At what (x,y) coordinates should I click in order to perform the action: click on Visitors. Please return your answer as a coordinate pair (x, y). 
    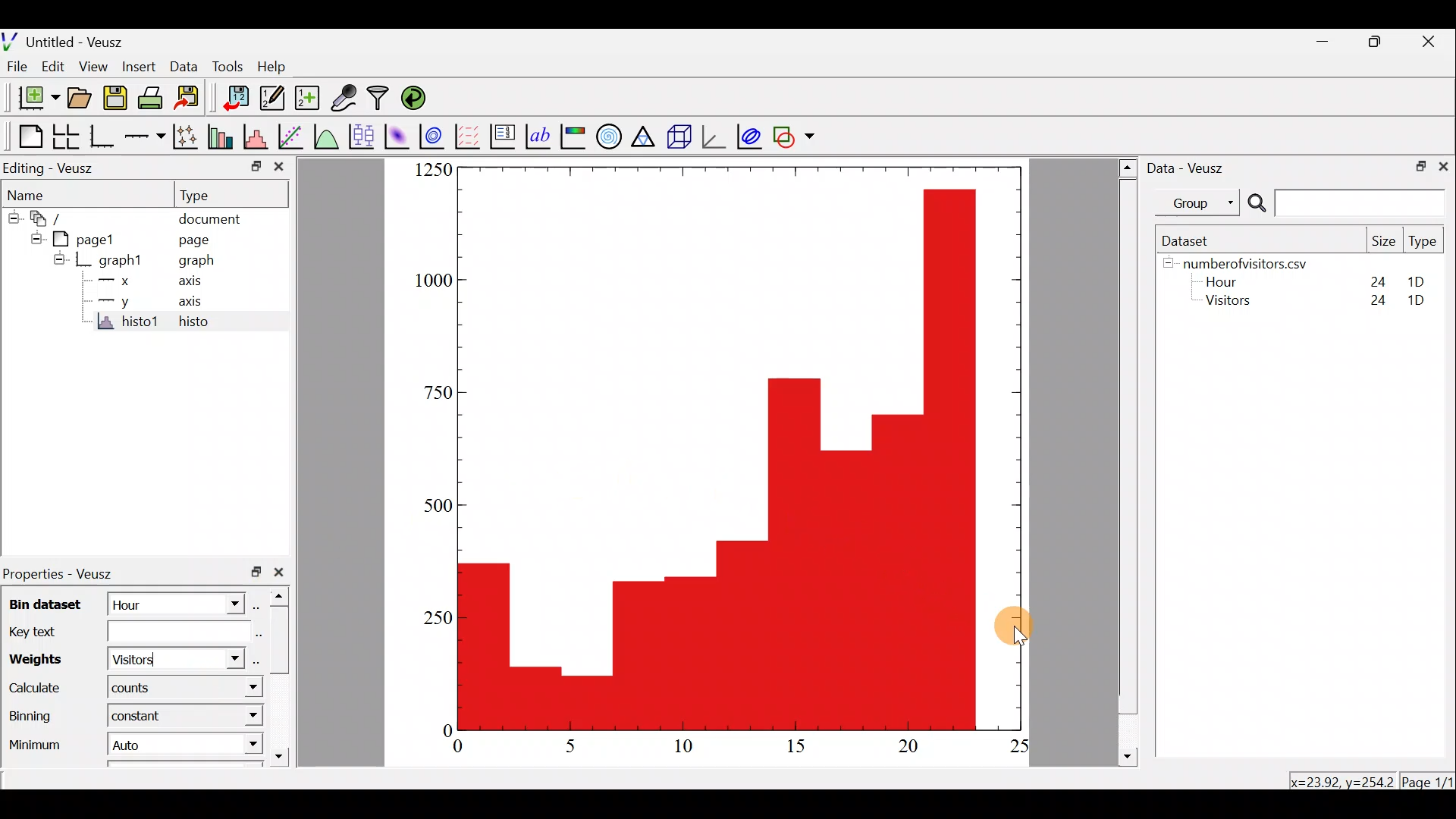
    Looking at the image, I should click on (1234, 303).